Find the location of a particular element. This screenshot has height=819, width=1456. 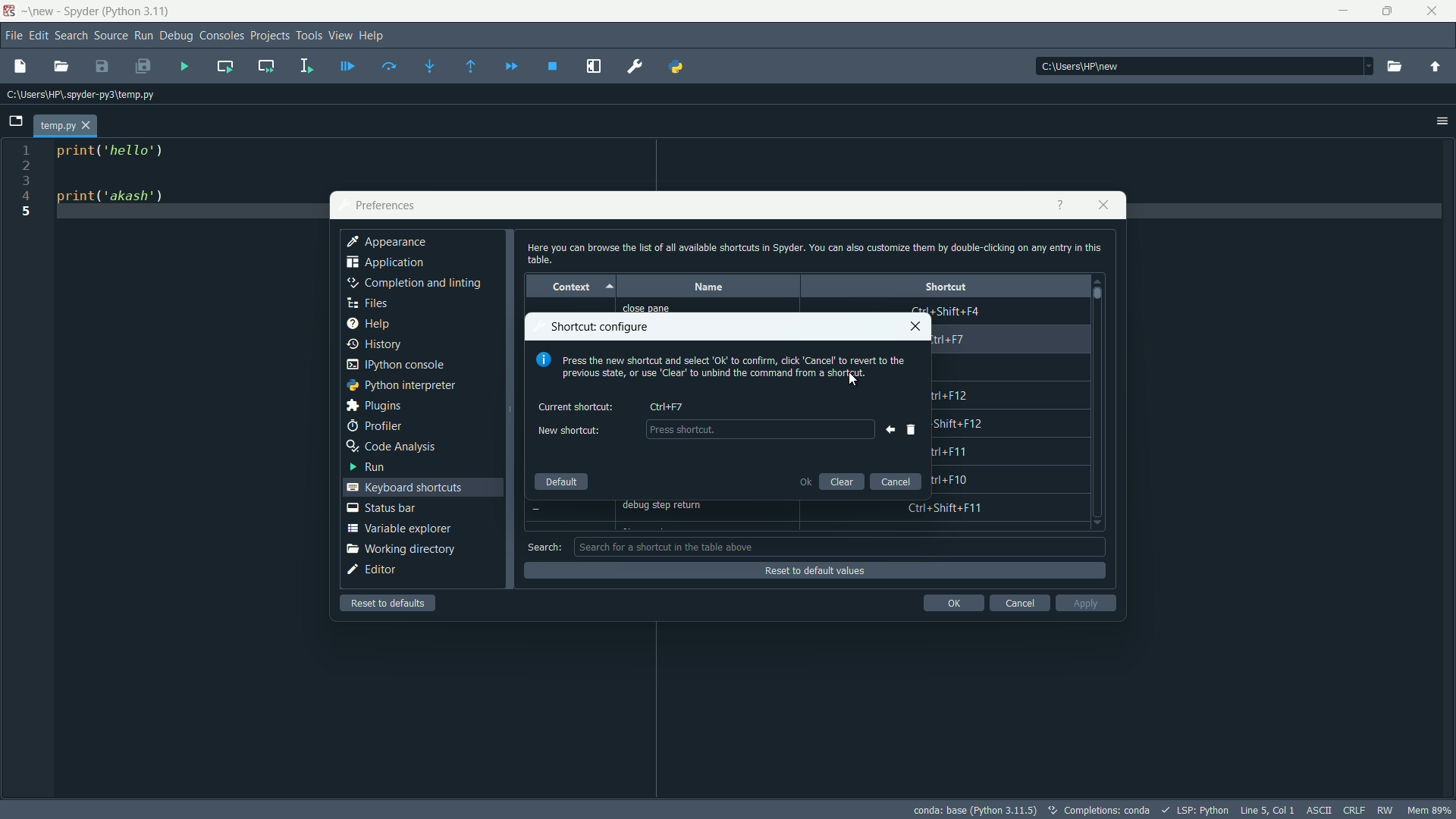

plugins is located at coordinates (373, 406).